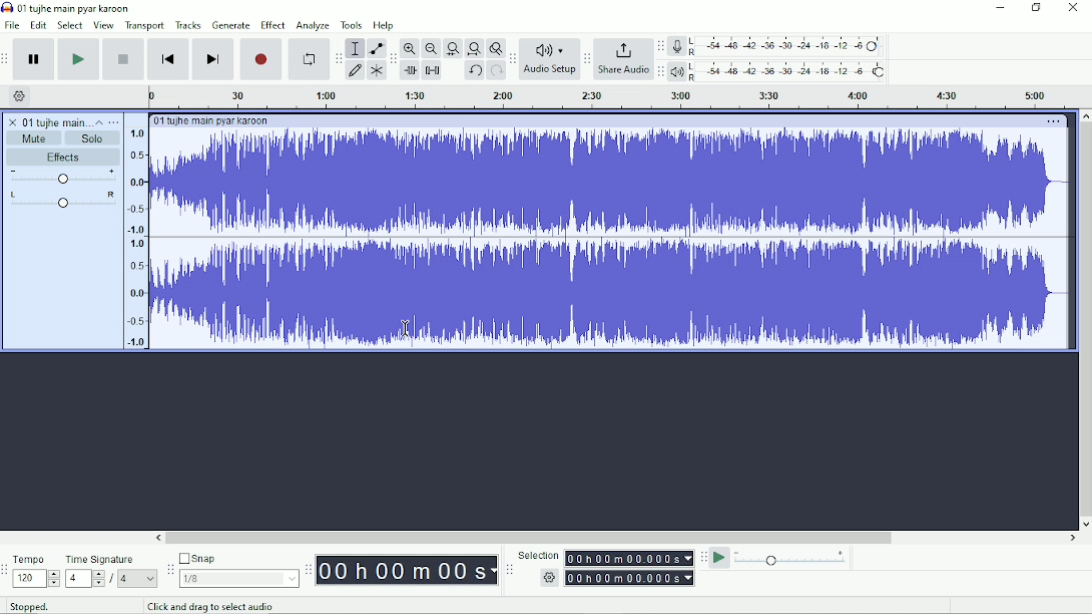 The image size is (1092, 614). Describe the element at coordinates (61, 202) in the screenshot. I see `Pan` at that location.